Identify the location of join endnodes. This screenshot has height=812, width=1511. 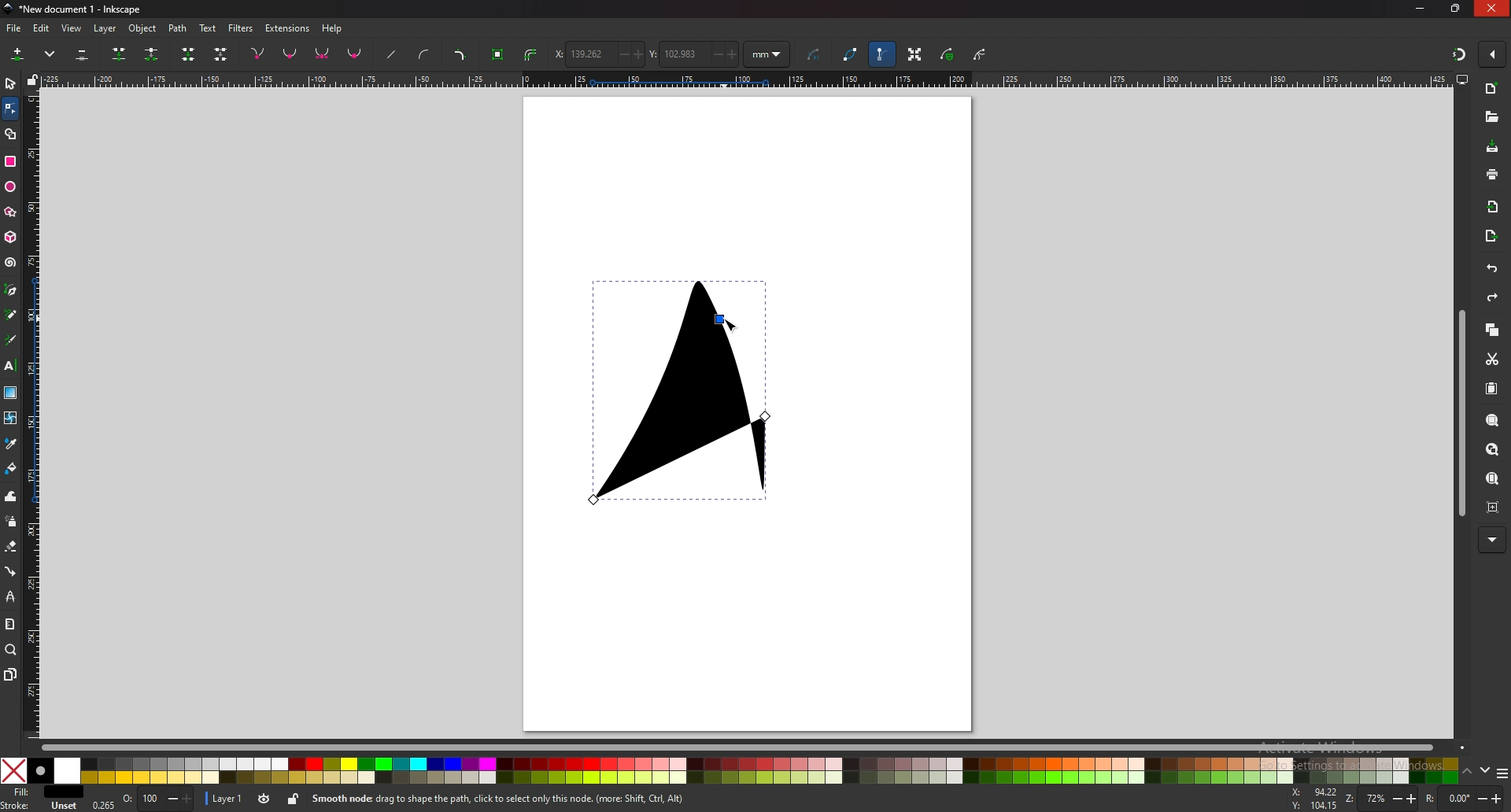
(190, 54).